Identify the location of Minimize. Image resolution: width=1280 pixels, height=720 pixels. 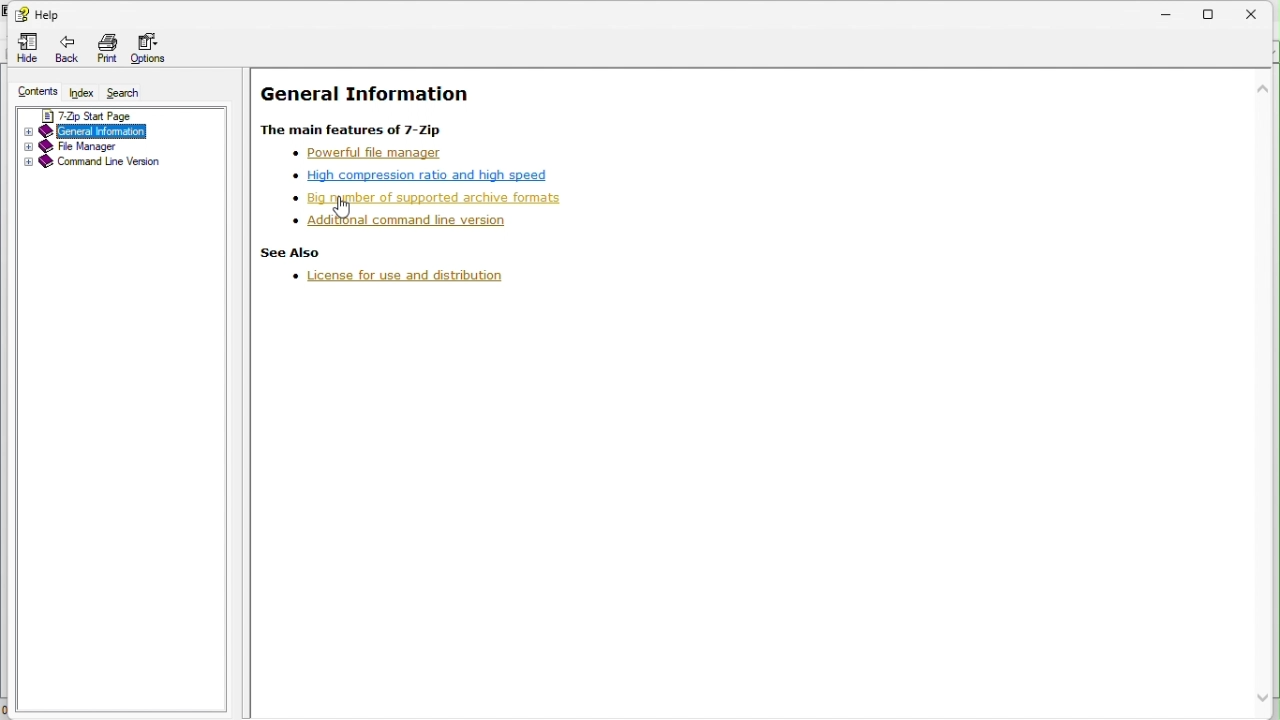
(1159, 13).